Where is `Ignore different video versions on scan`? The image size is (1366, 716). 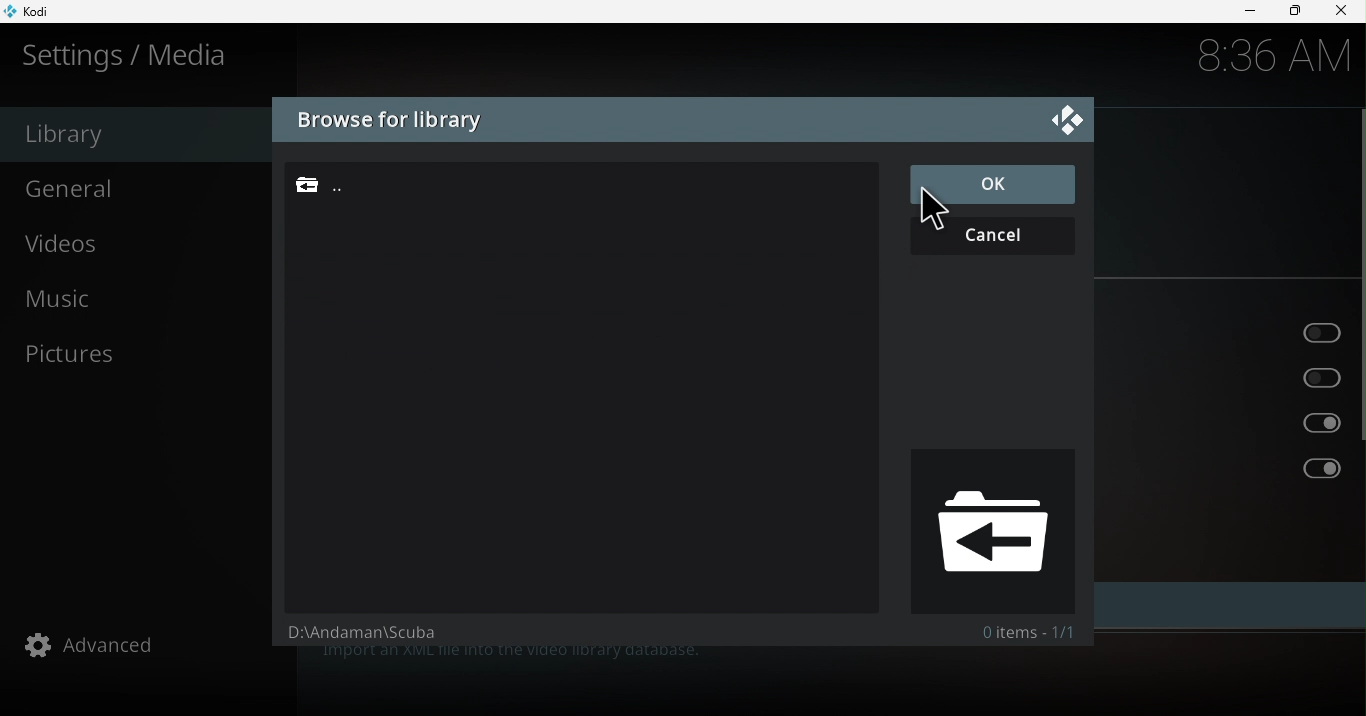
Ignore different video versions on scan is located at coordinates (1233, 423).